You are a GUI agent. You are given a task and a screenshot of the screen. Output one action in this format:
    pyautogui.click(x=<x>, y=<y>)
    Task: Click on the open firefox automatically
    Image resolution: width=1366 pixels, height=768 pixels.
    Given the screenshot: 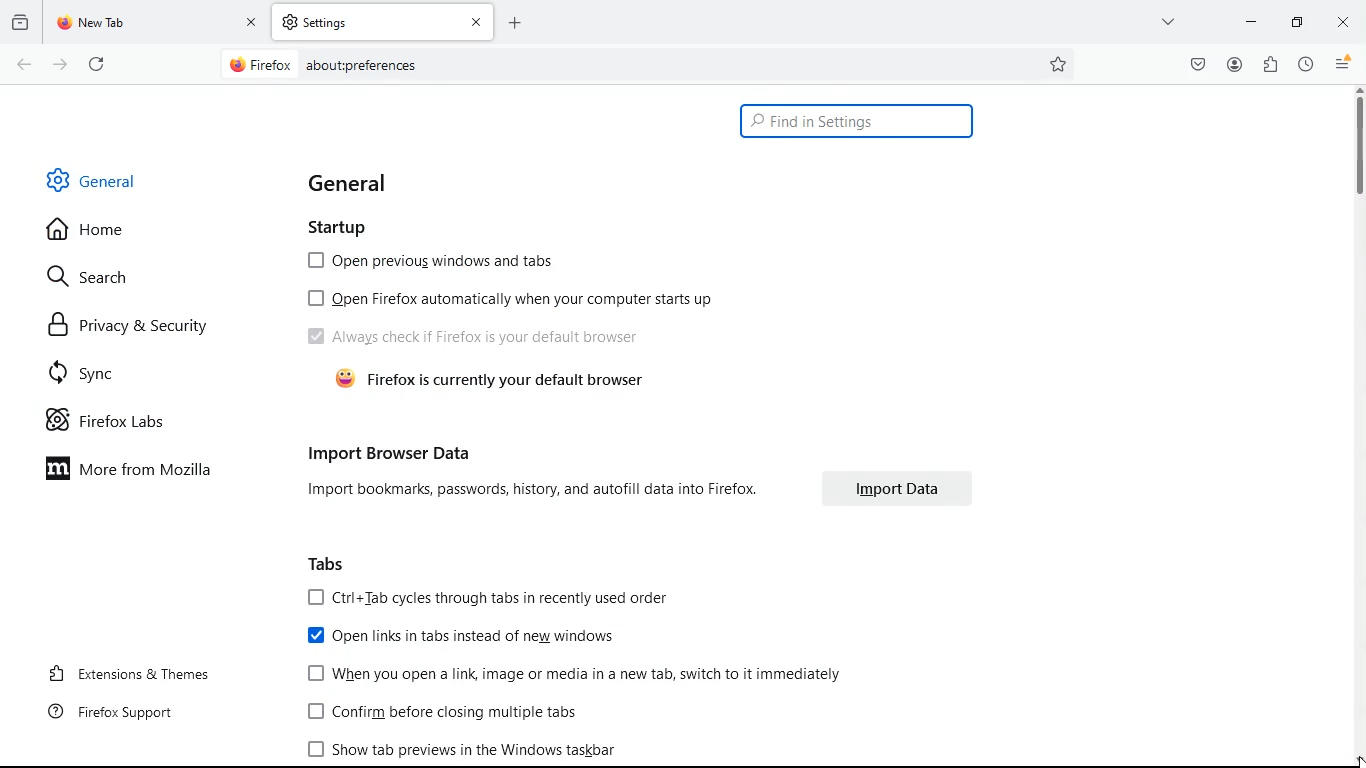 What is the action you would take?
    pyautogui.click(x=516, y=301)
    